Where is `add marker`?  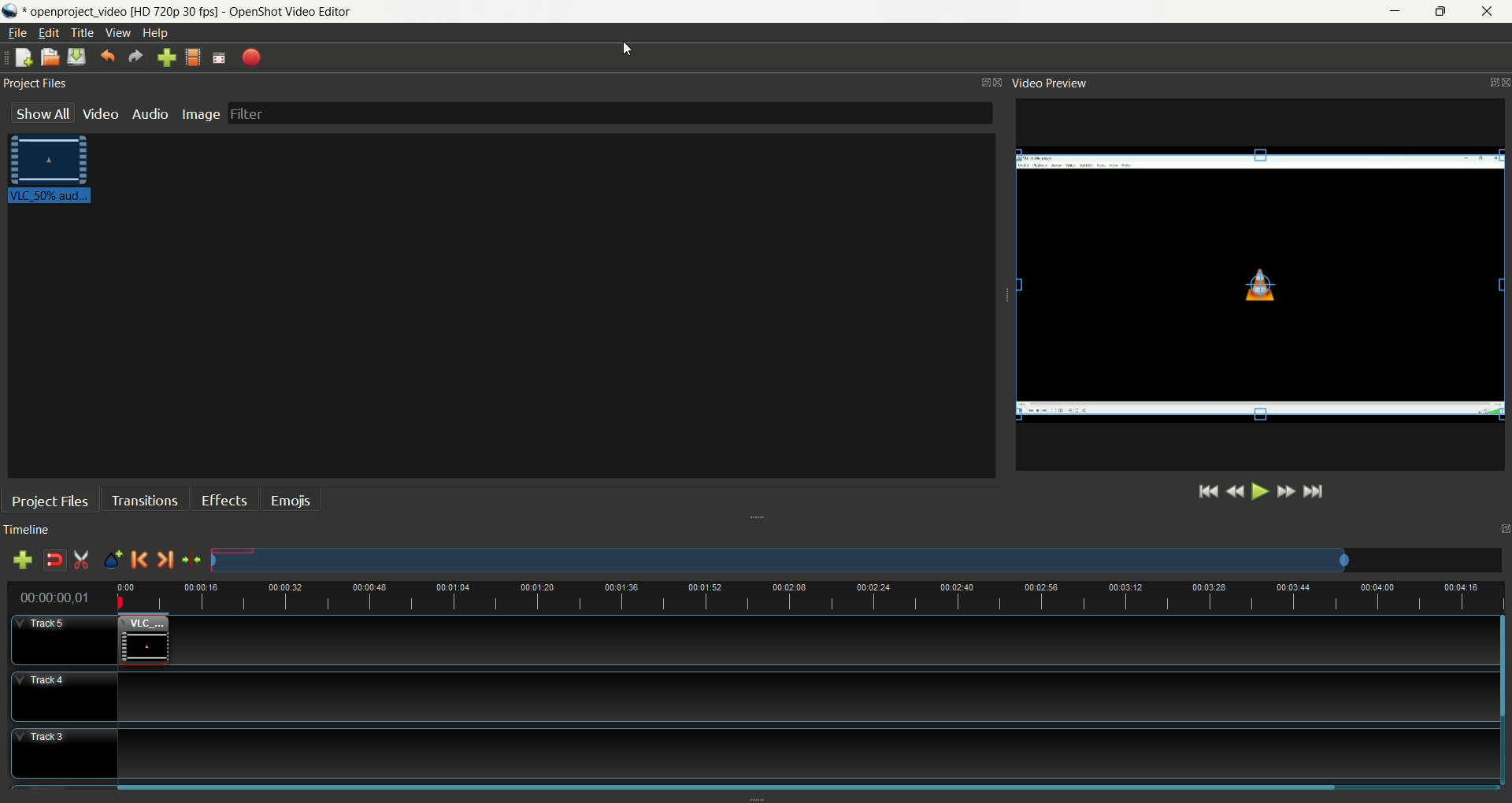 add marker is located at coordinates (113, 559).